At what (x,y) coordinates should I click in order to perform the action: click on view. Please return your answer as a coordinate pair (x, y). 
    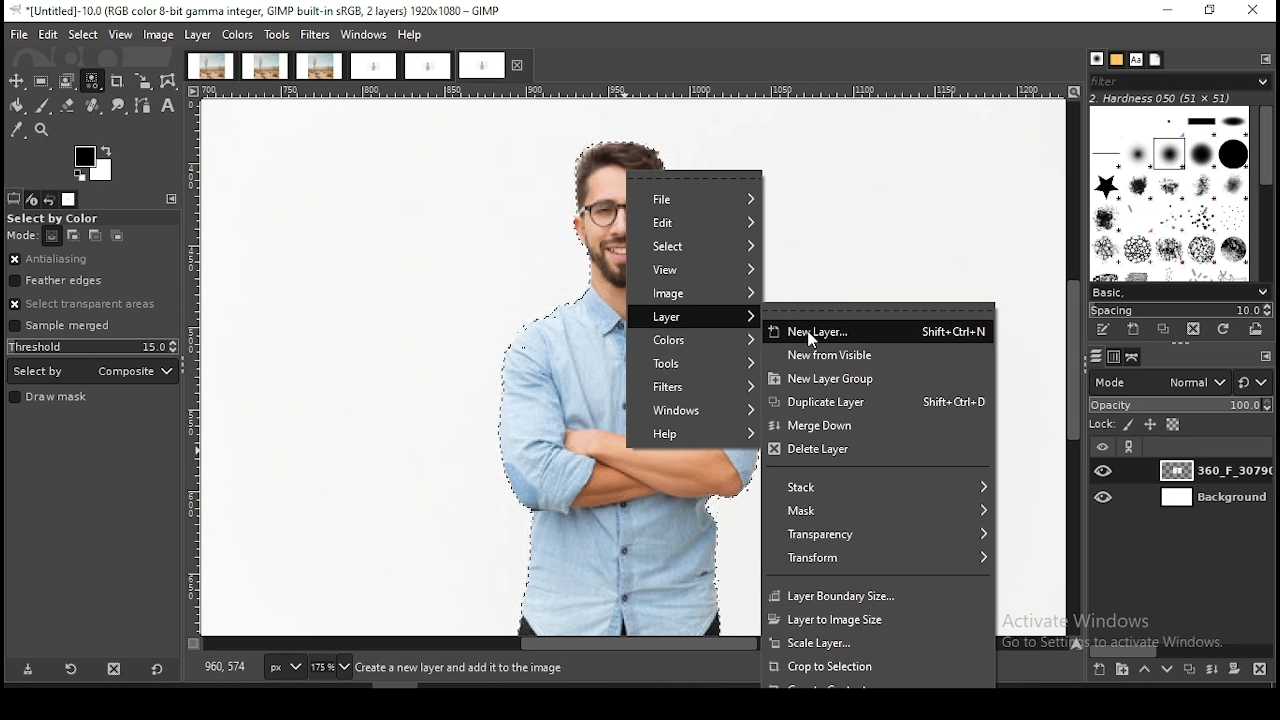
    Looking at the image, I should click on (695, 271).